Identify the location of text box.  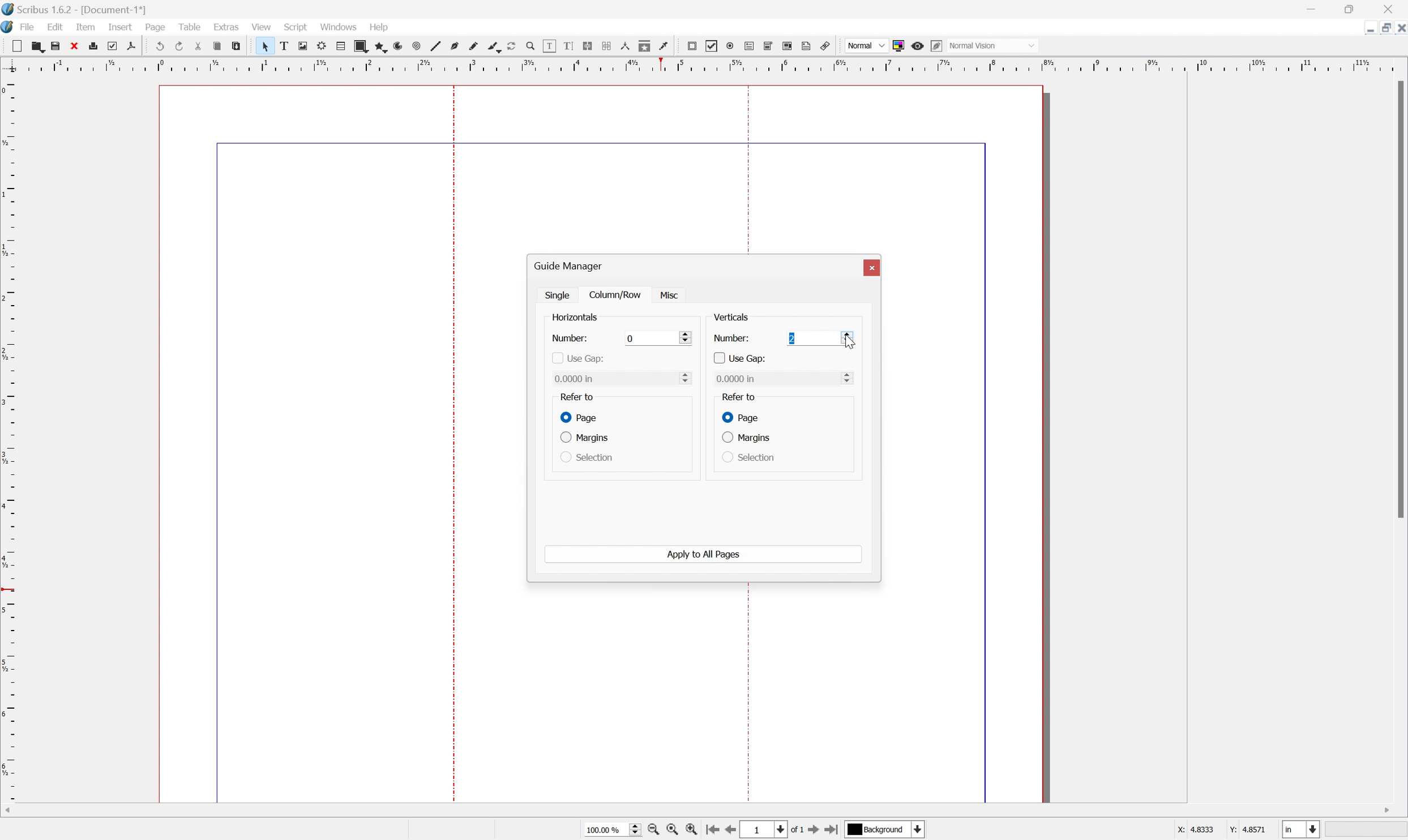
(284, 46).